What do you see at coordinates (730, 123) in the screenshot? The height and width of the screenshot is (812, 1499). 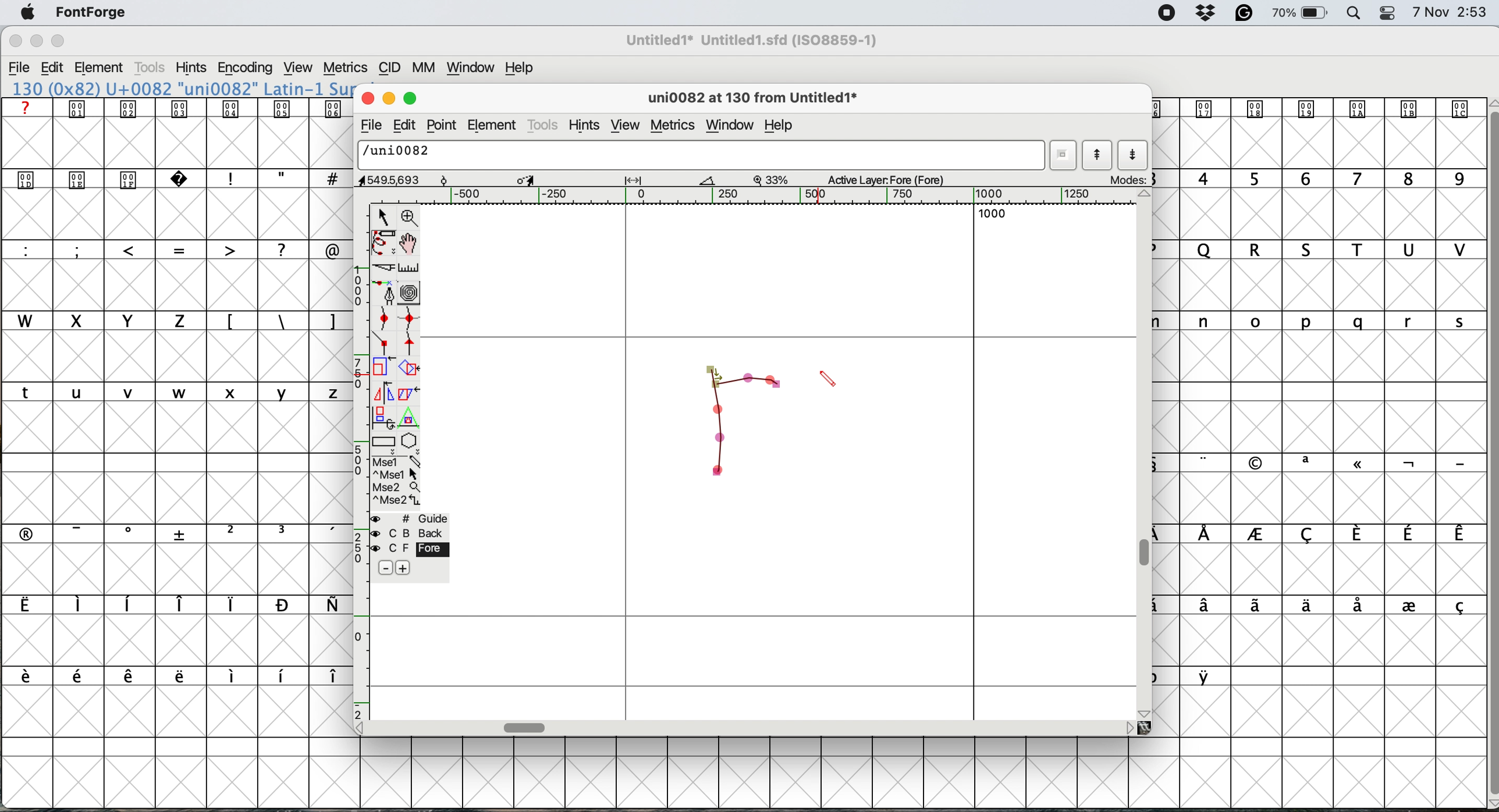 I see `window` at bounding box center [730, 123].